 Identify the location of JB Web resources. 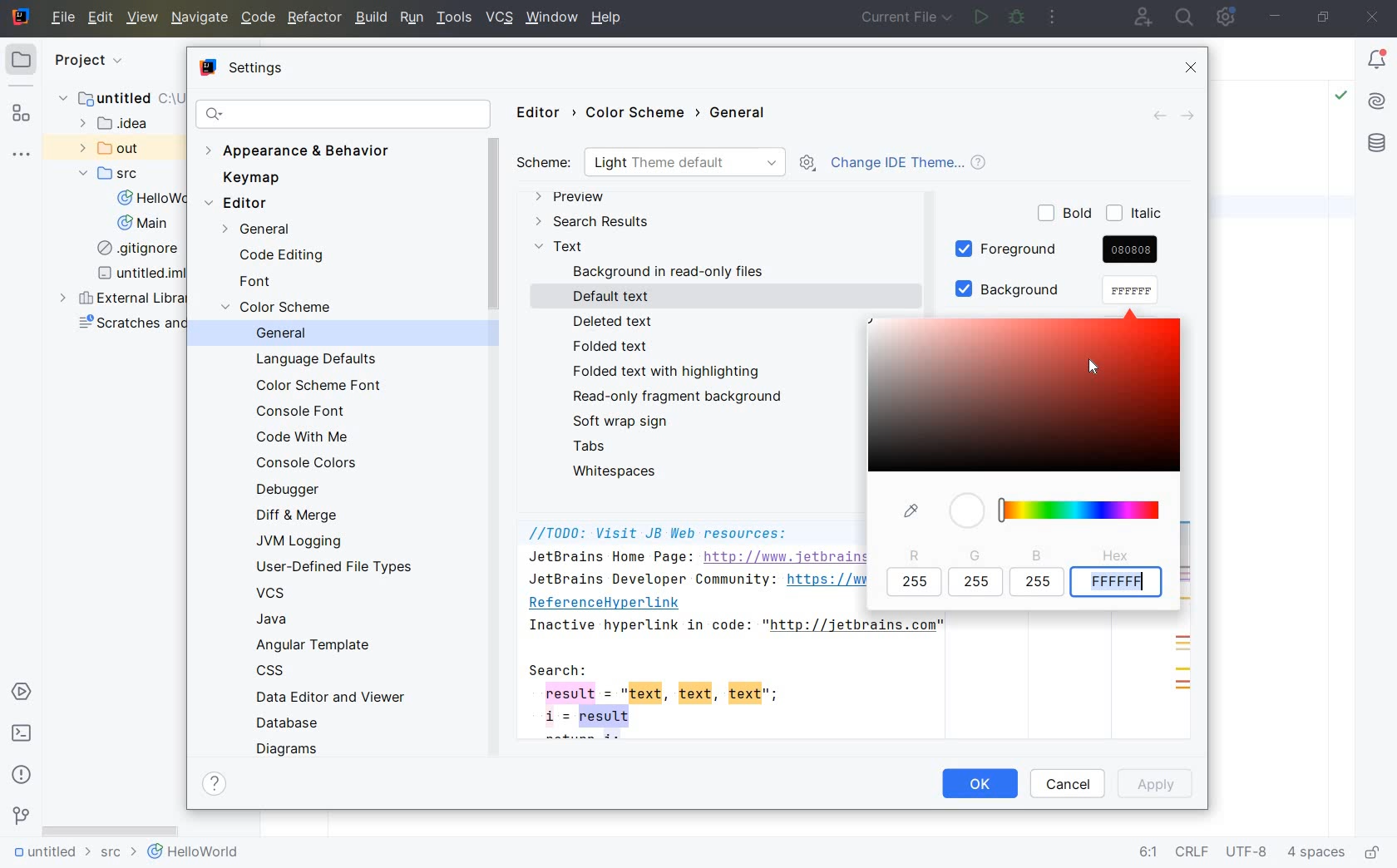
(691, 633).